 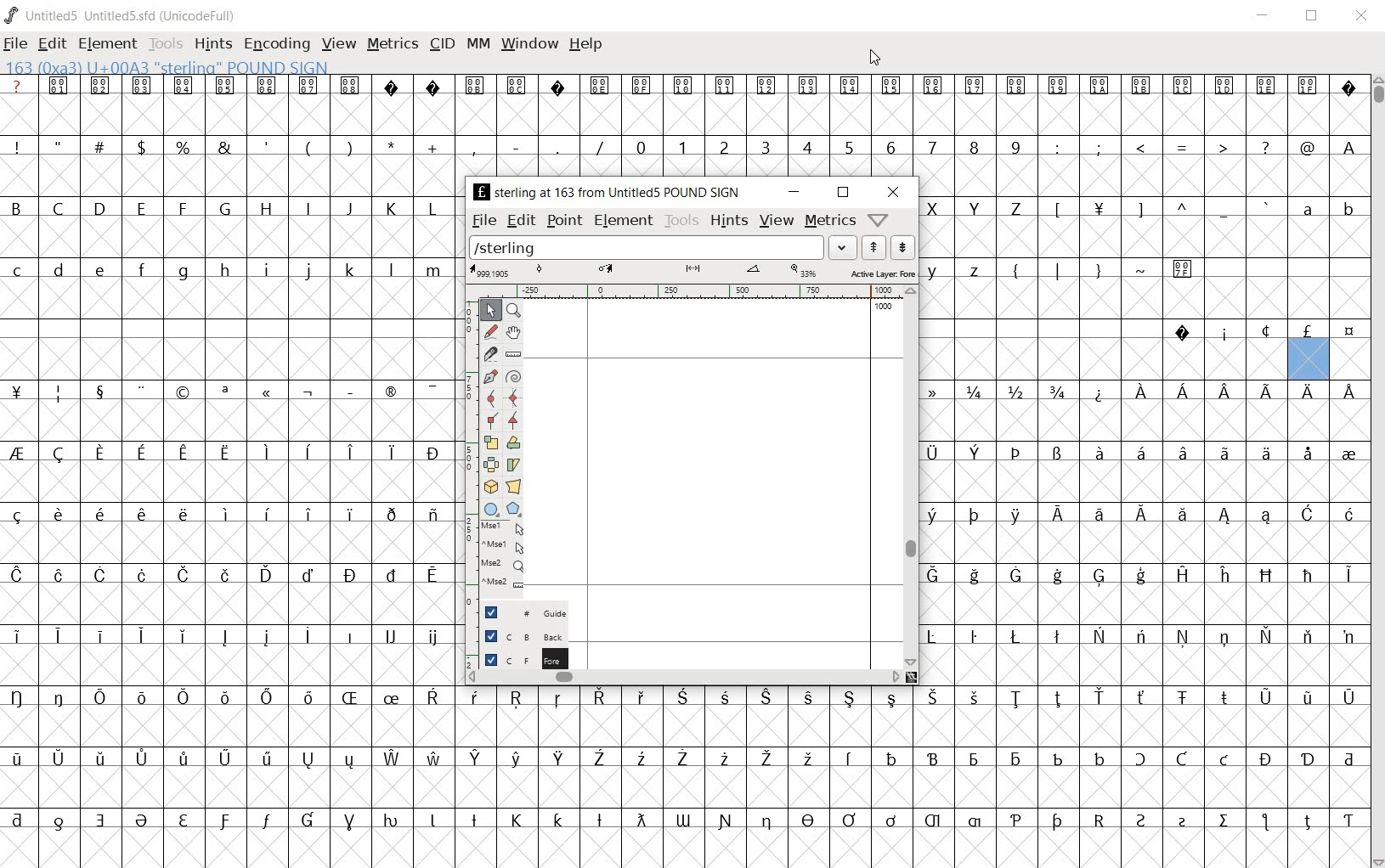 What do you see at coordinates (1309, 360) in the screenshot?
I see `glyph slot highlighted` at bounding box center [1309, 360].